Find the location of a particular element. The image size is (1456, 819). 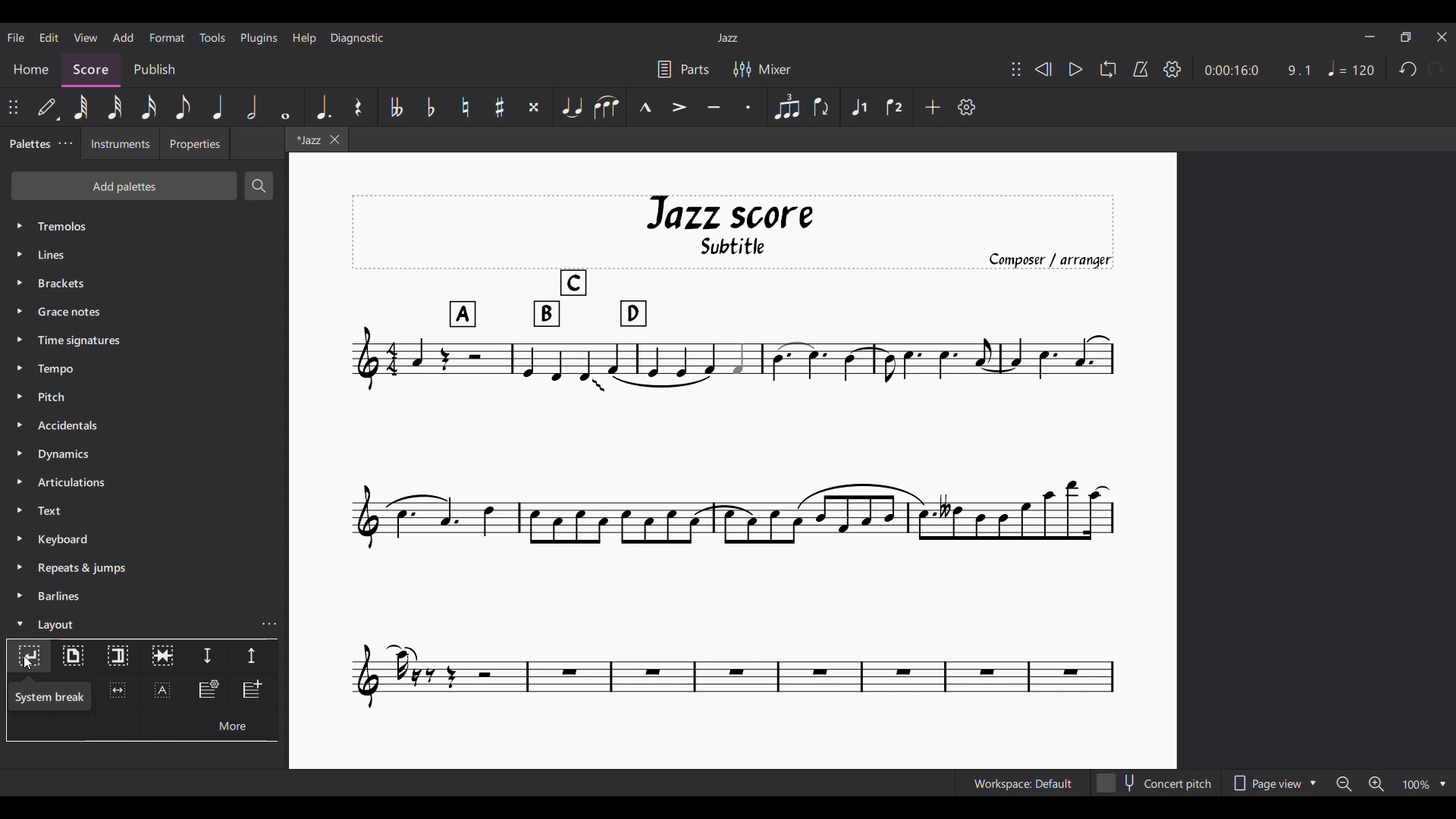

Home section is located at coordinates (31, 69).